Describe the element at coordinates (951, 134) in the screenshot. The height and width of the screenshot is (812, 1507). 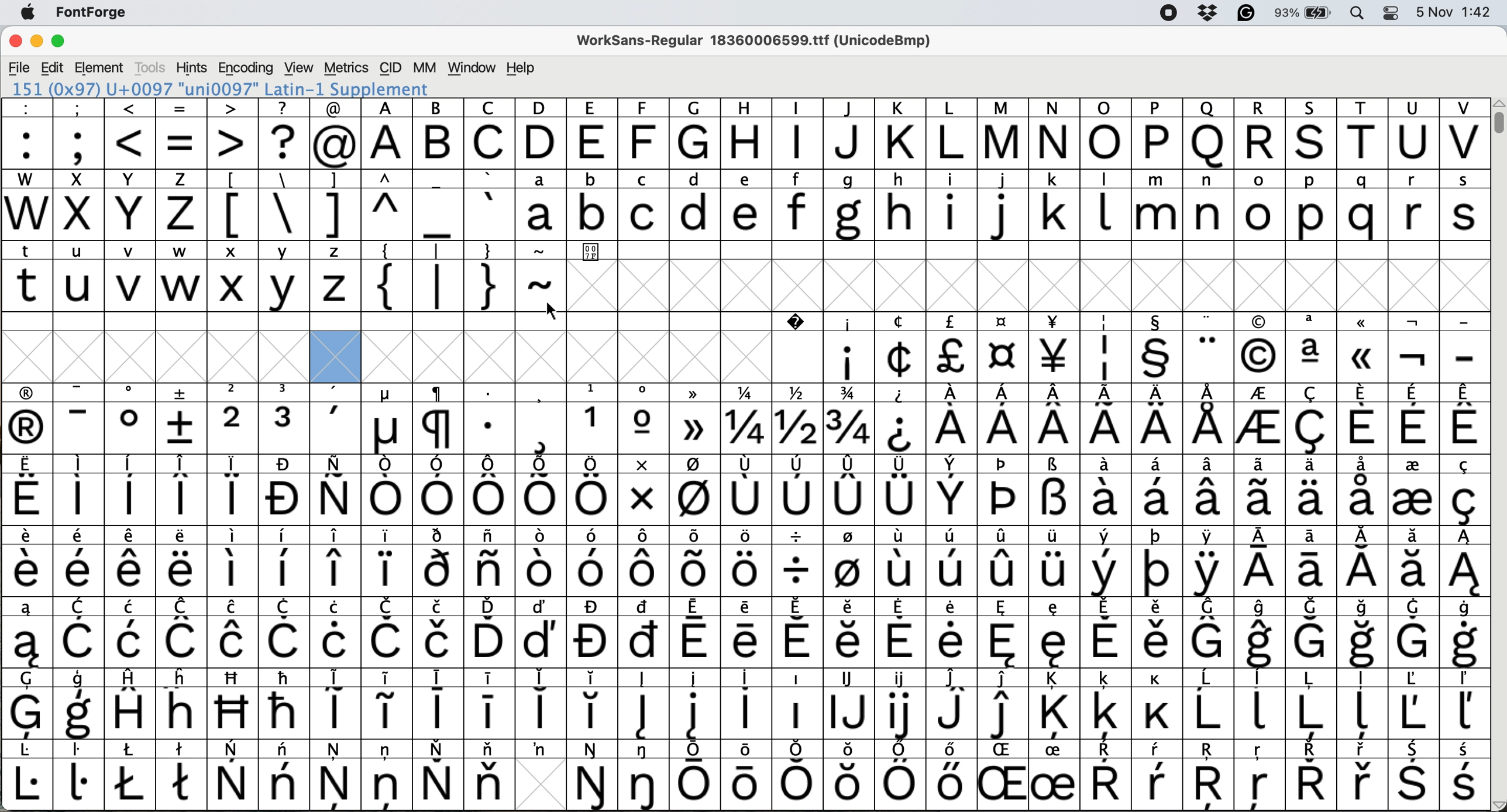
I see `L` at that location.